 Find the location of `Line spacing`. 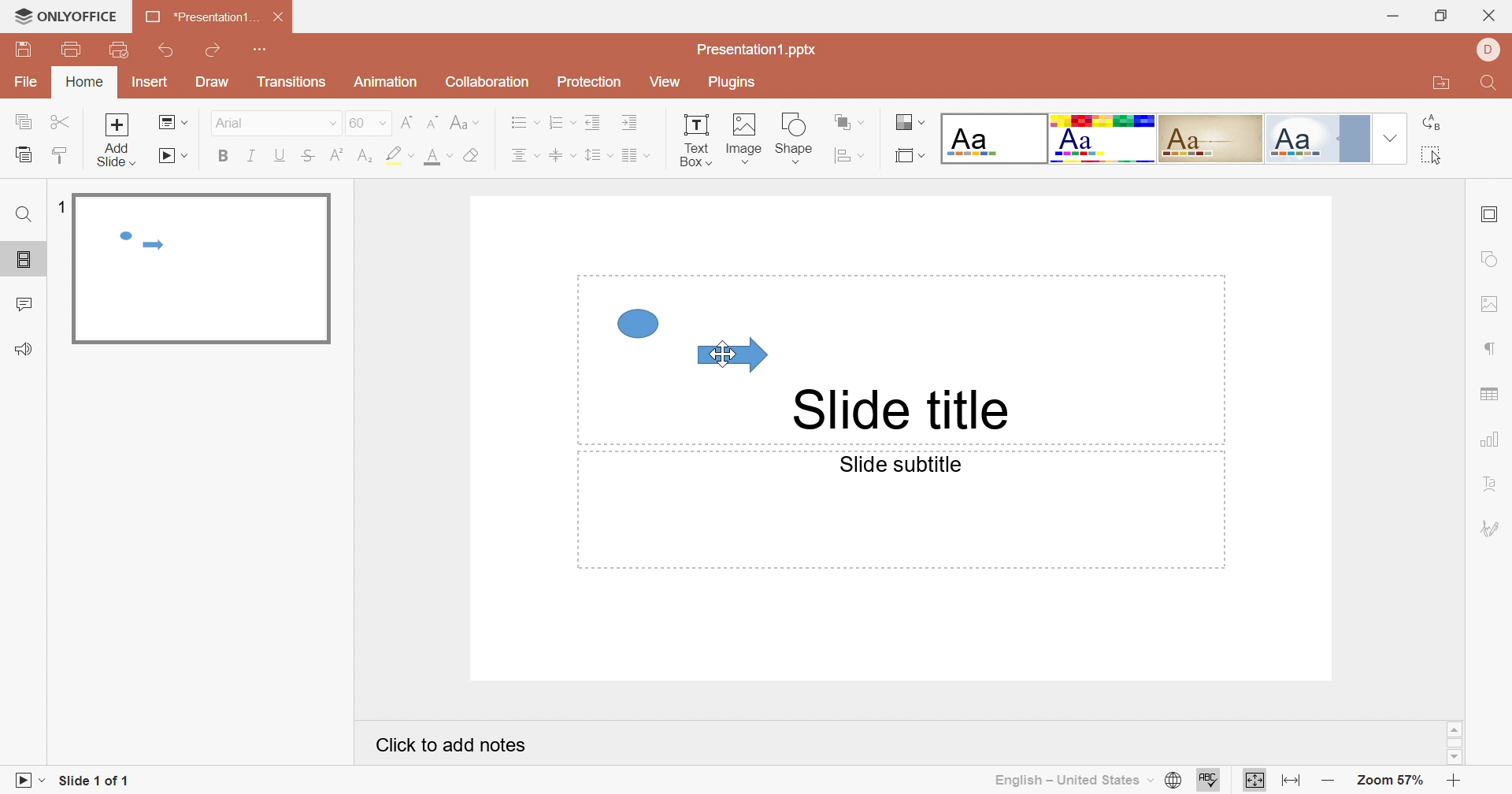

Line spacing is located at coordinates (596, 155).